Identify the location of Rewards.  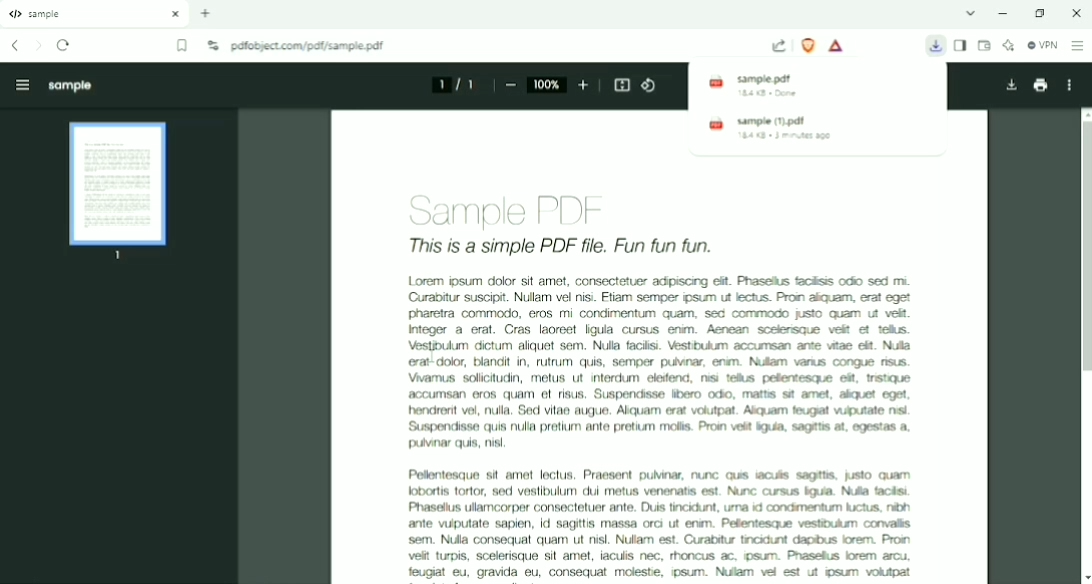
(837, 46).